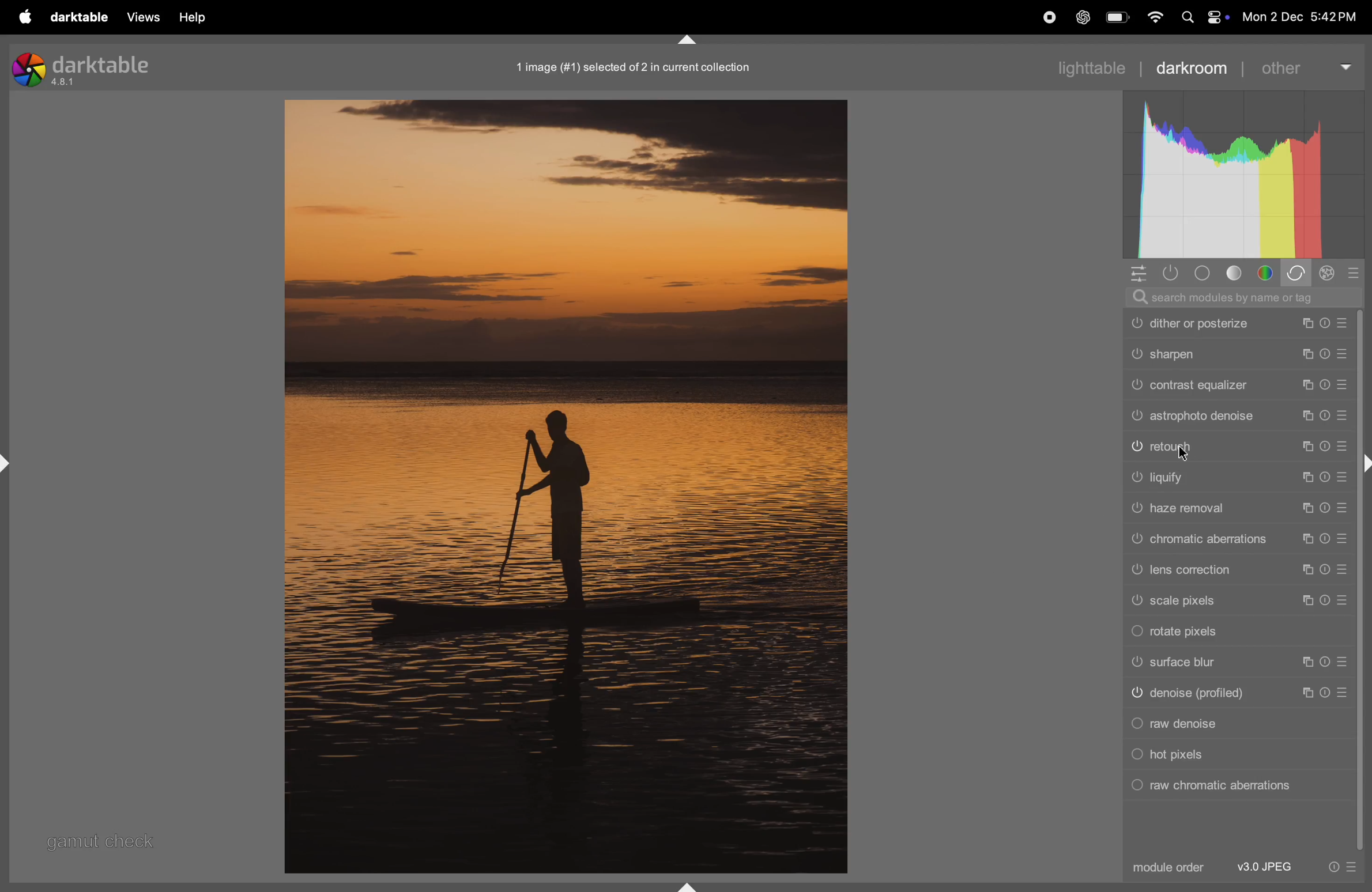  I want to click on contrast equalizer, so click(1237, 387).